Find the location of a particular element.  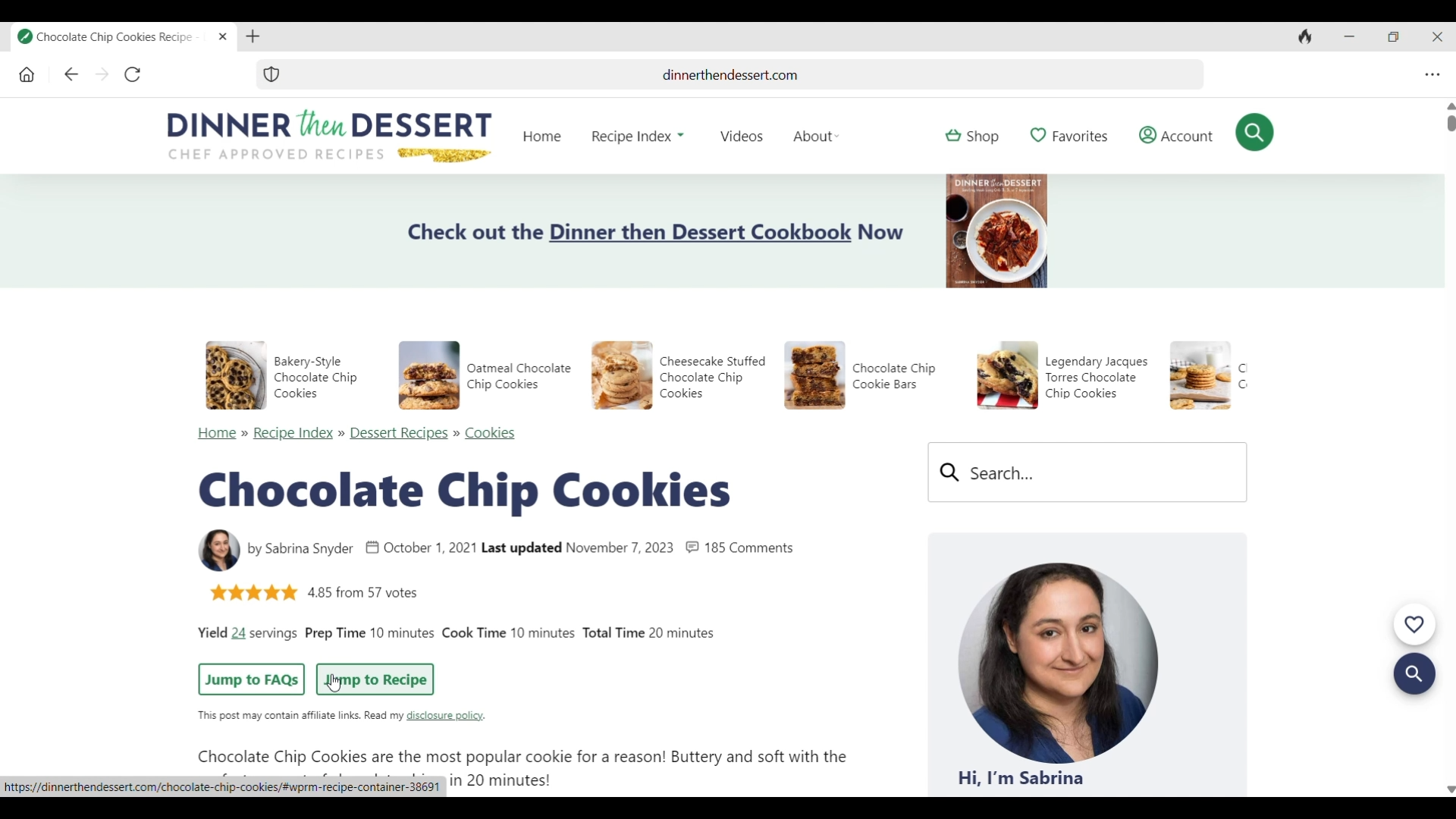

Indicates star rating received to the article is located at coordinates (253, 593).